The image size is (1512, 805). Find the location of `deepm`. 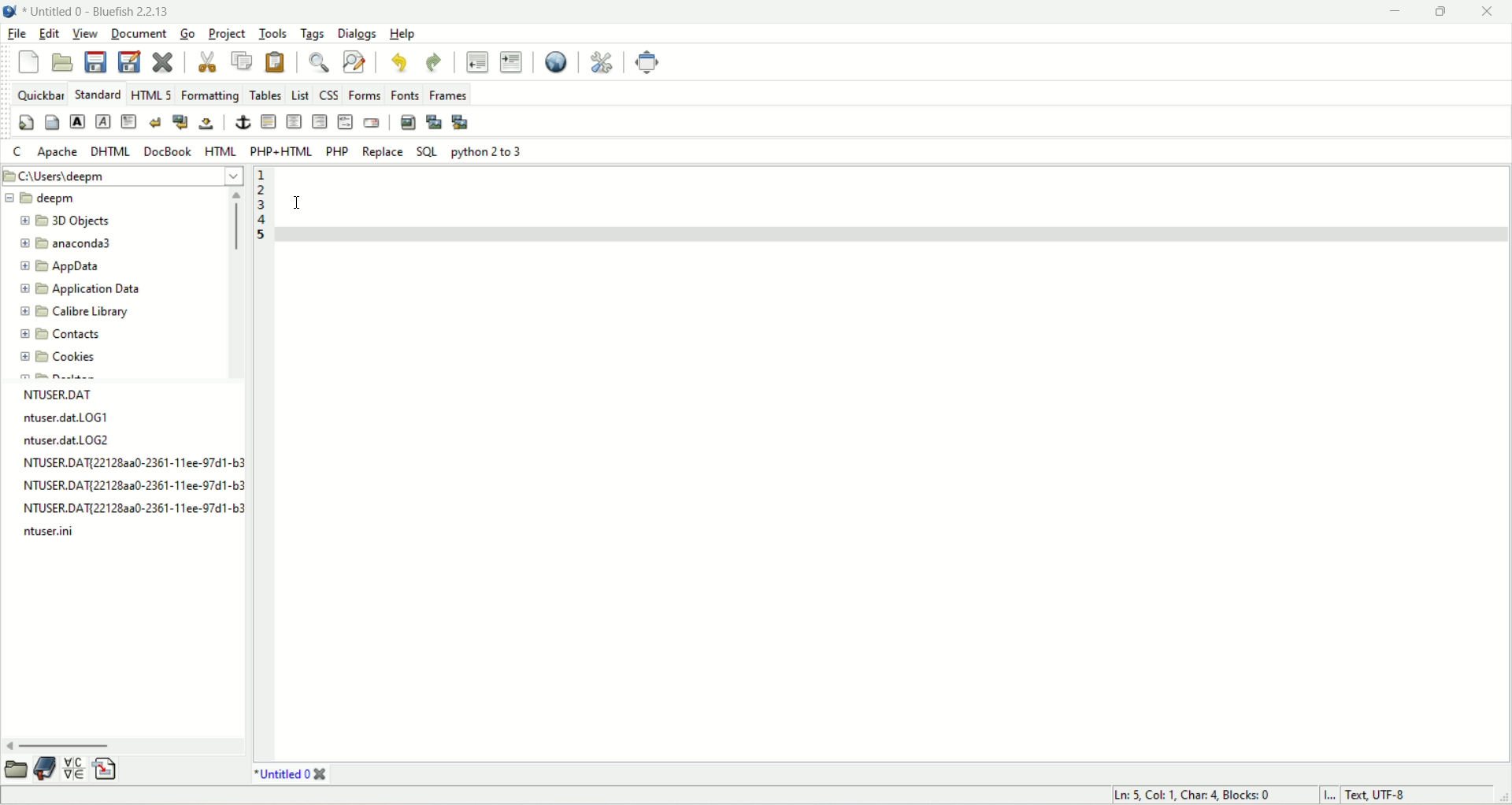

deepm is located at coordinates (43, 199).